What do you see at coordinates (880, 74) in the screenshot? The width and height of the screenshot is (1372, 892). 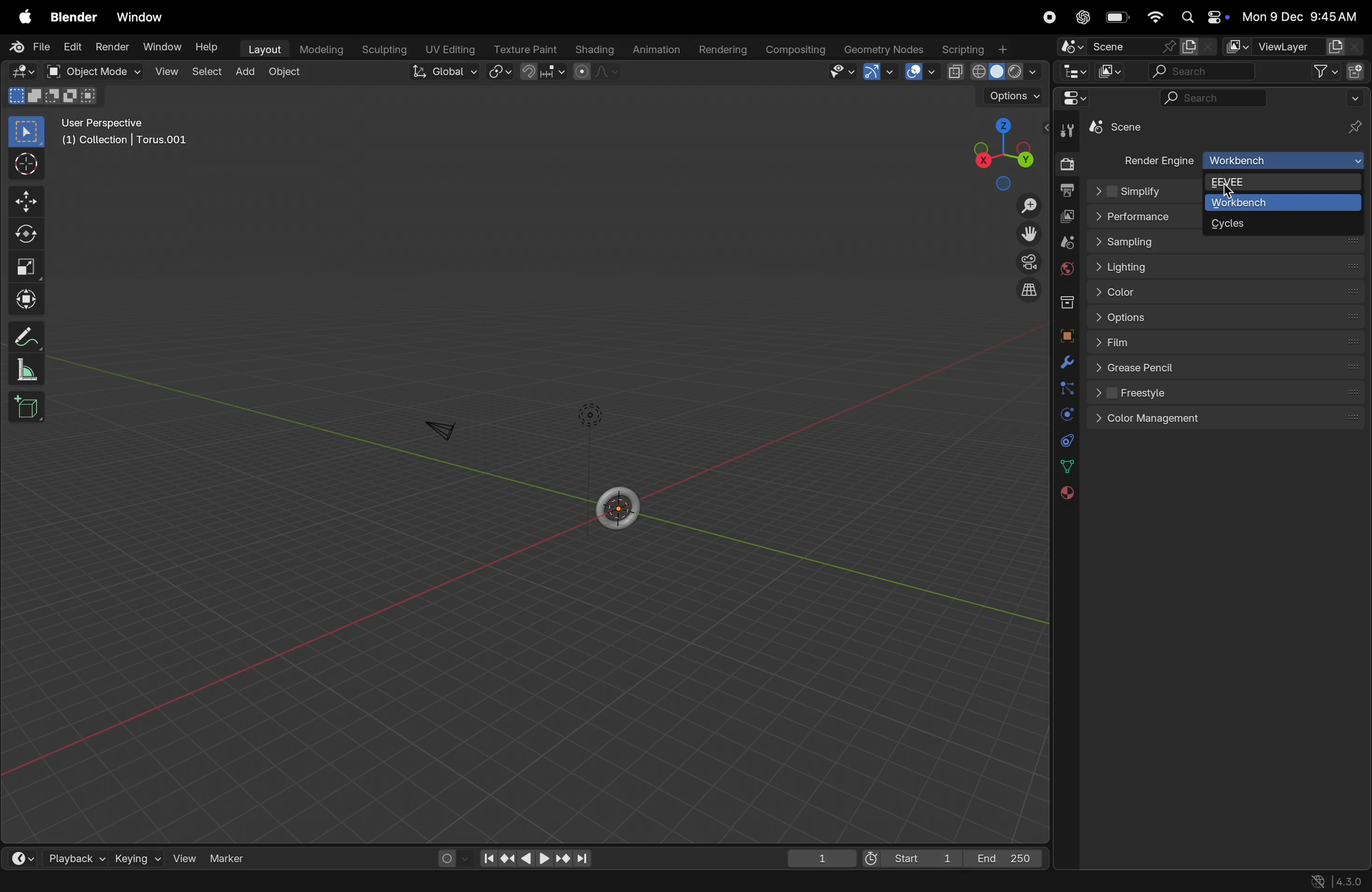 I see `arrow` at bounding box center [880, 74].